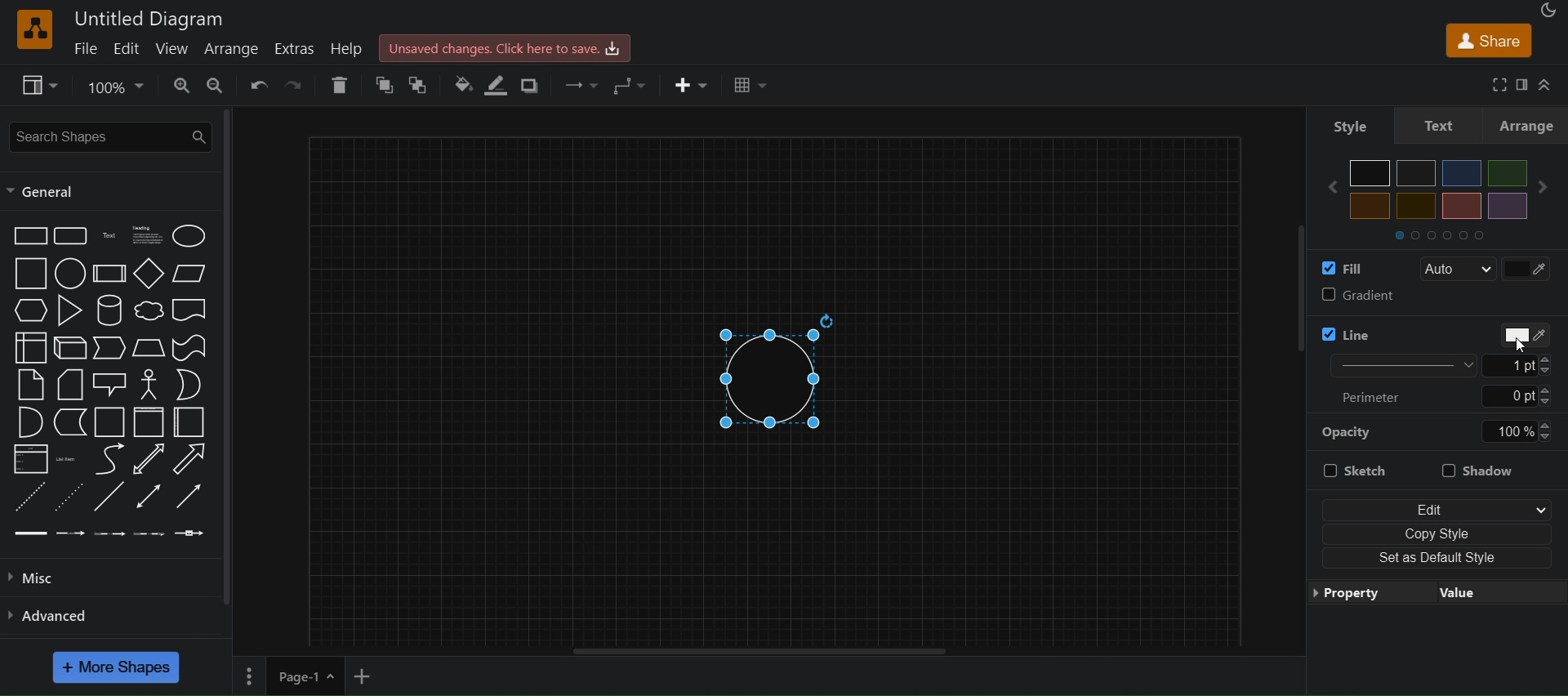 This screenshot has width=1568, height=696. I want to click on arrow, so click(189, 459).